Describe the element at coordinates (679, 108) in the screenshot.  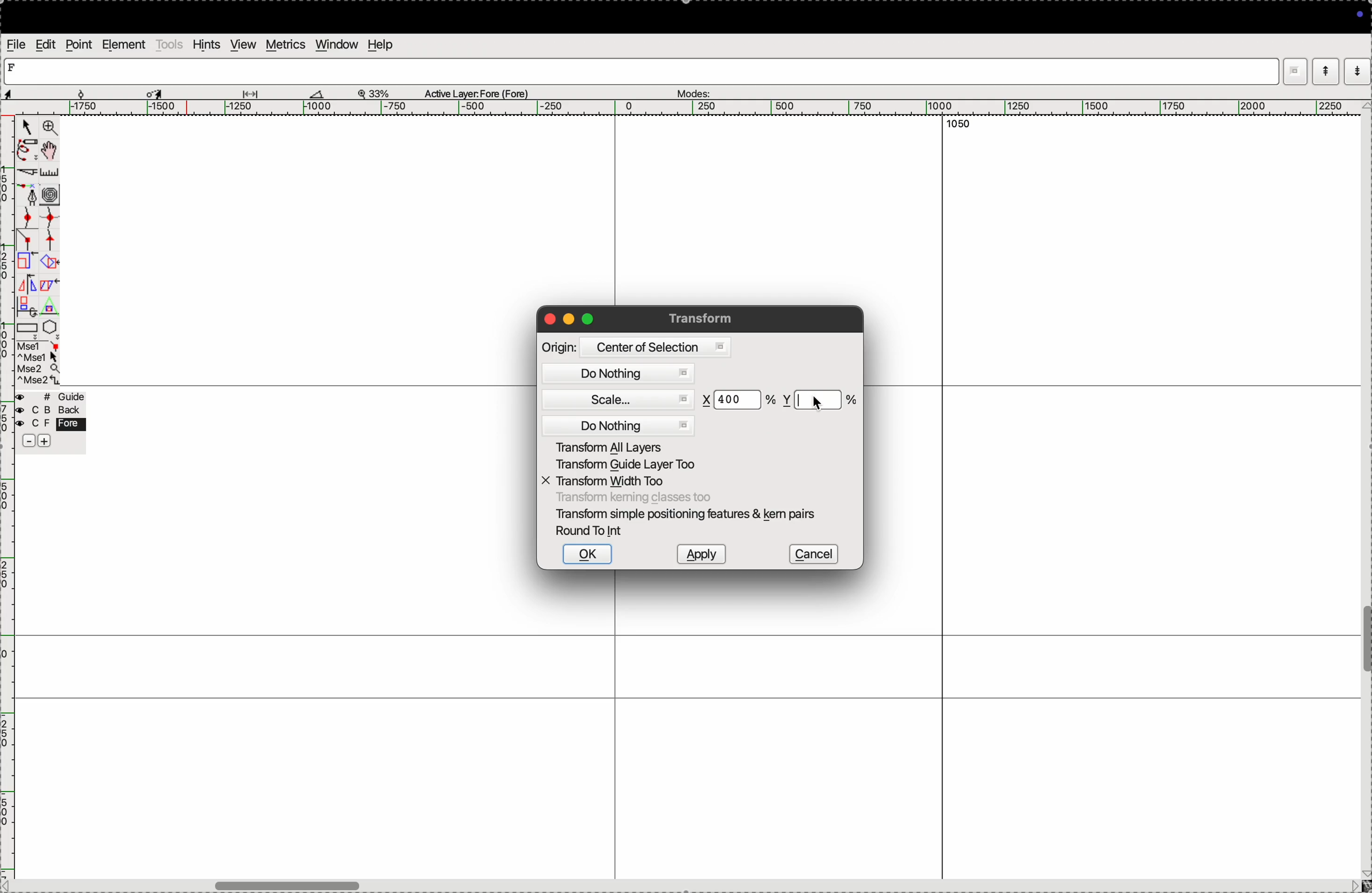
I see `horizontal scale` at that location.